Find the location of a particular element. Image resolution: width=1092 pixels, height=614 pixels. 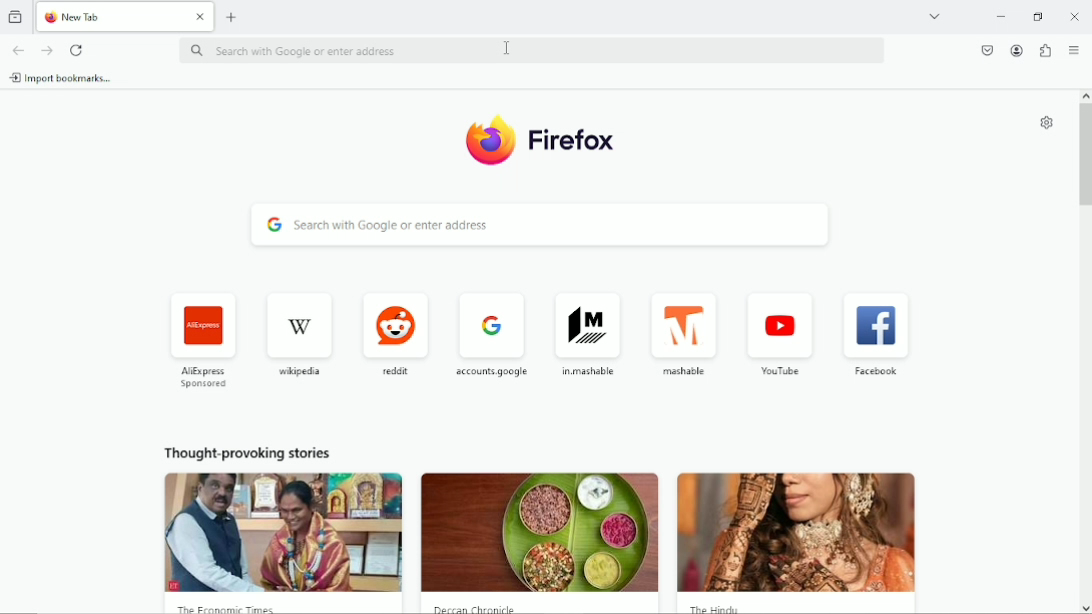

cursor is located at coordinates (506, 48).